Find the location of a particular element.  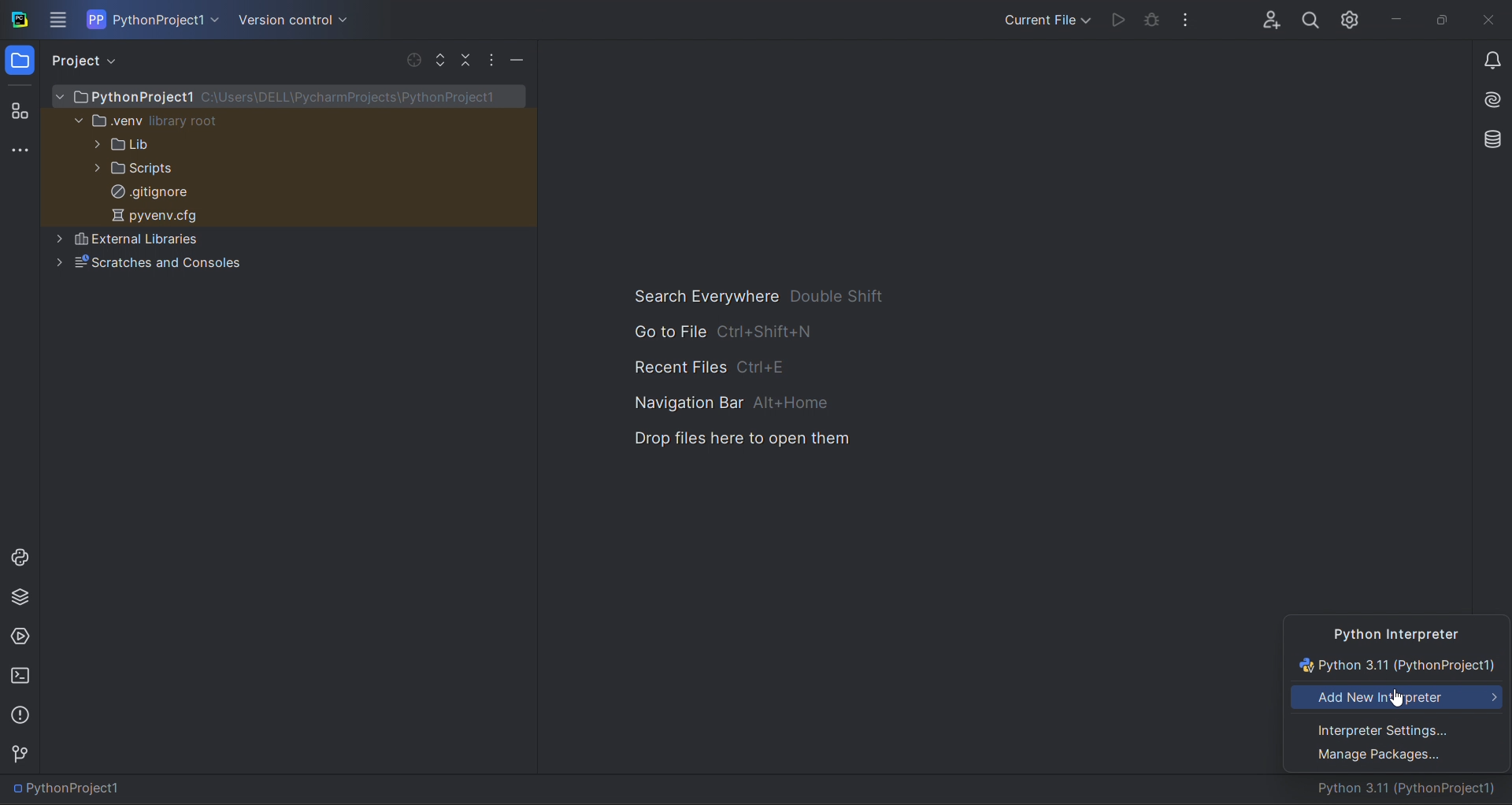

terminal is located at coordinates (20, 678).